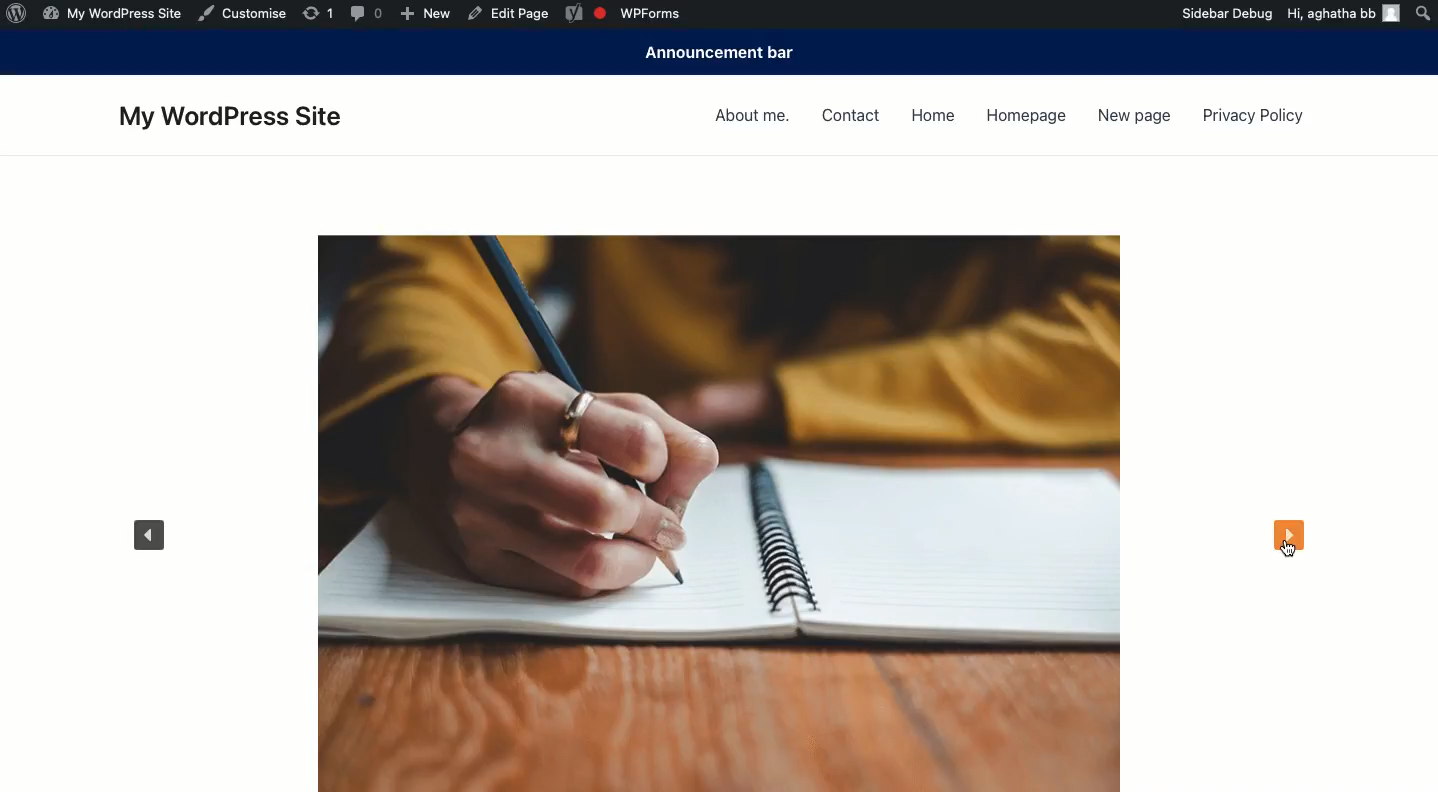 This screenshot has width=1438, height=792. What do you see at coordinates (245, 13) in the screenshot?
I see `Customise` at bounding box center [245, 13].